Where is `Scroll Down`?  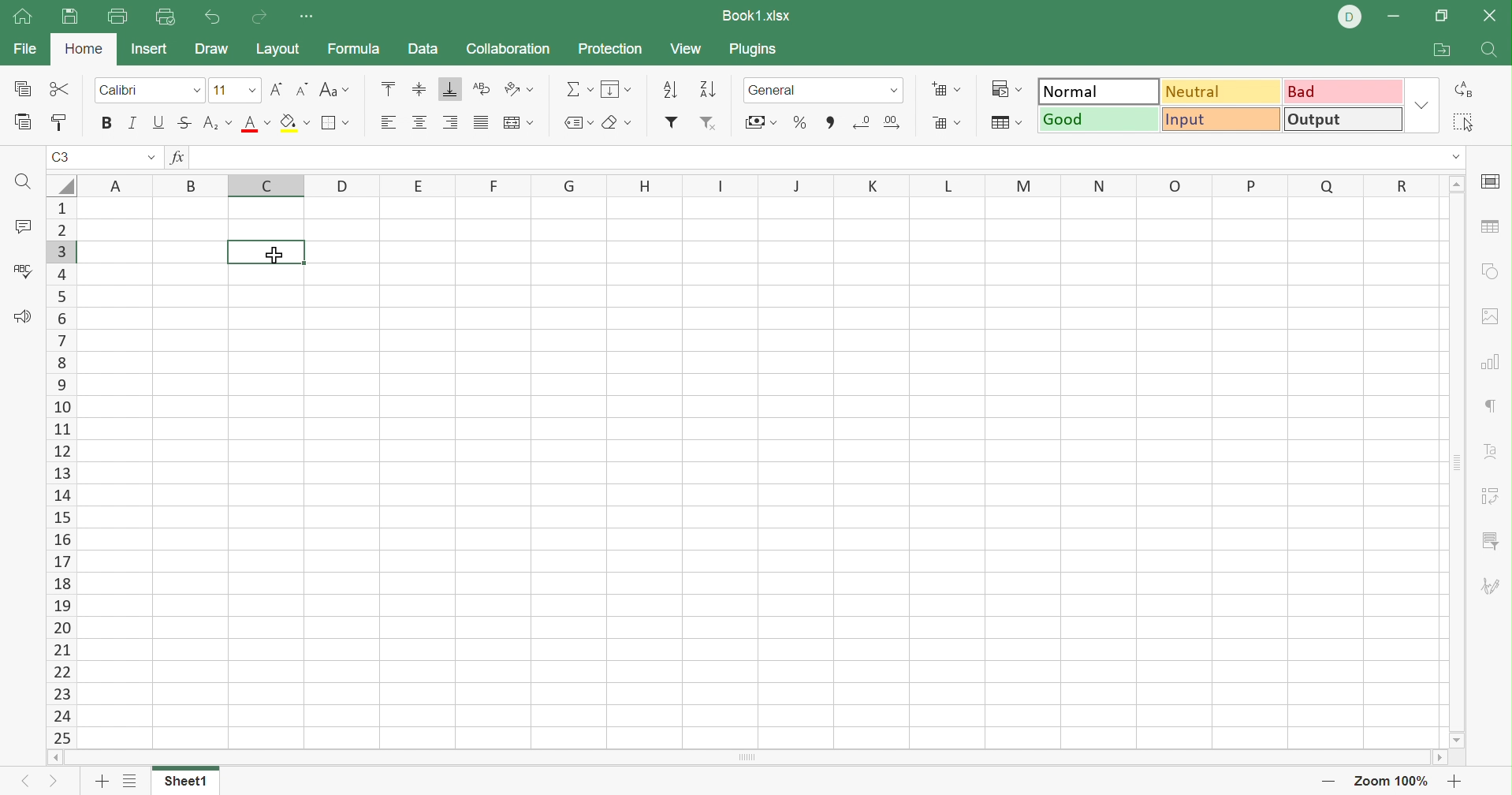
Scroll Down is located at coordinates (1458, 741).